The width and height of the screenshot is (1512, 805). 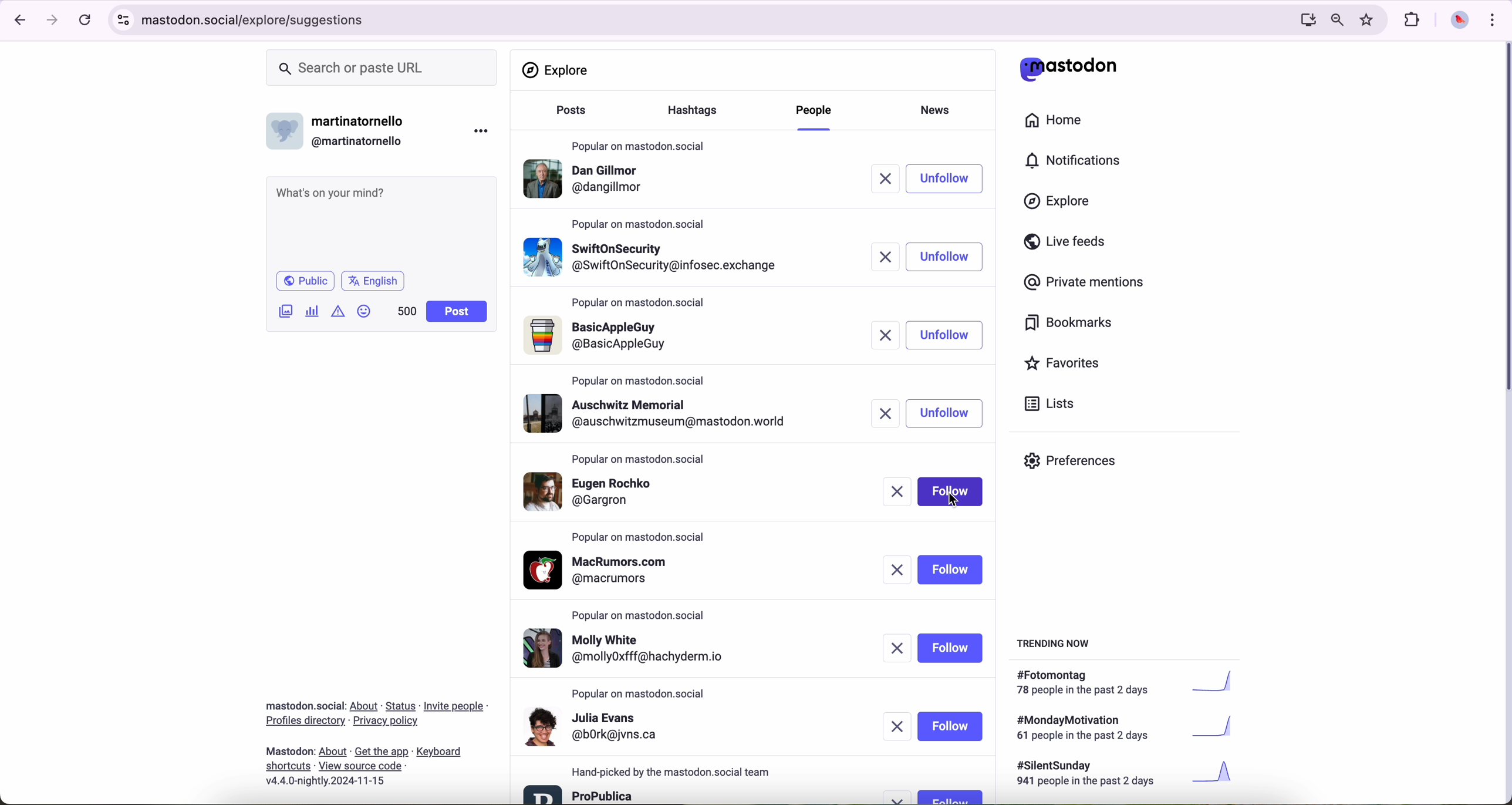 What do you see at coordinates (1085, 283) in the screenshot?
I see `private mentions` at bounding box center [1085, 283].